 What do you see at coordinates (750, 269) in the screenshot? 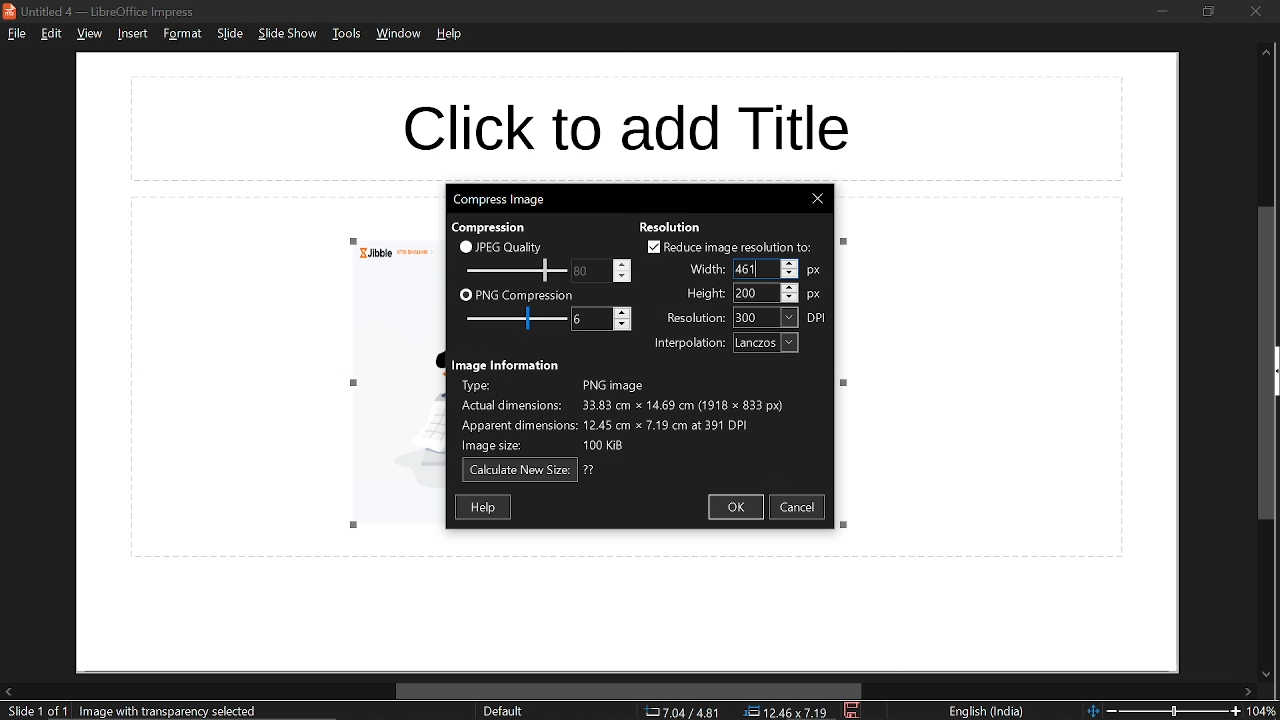
I see `width` at bounding box center [750, 269].